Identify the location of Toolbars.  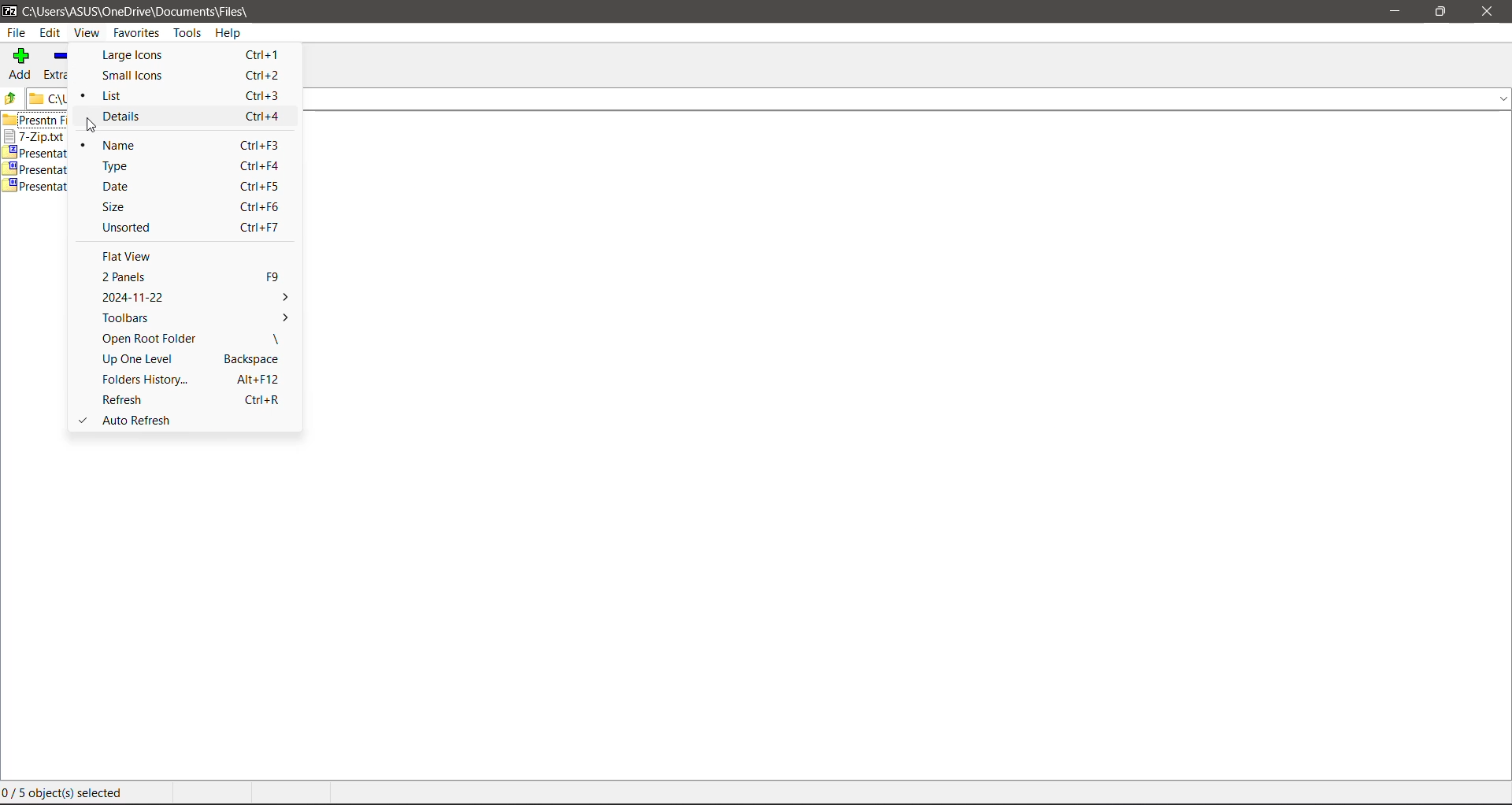
(135, 319).